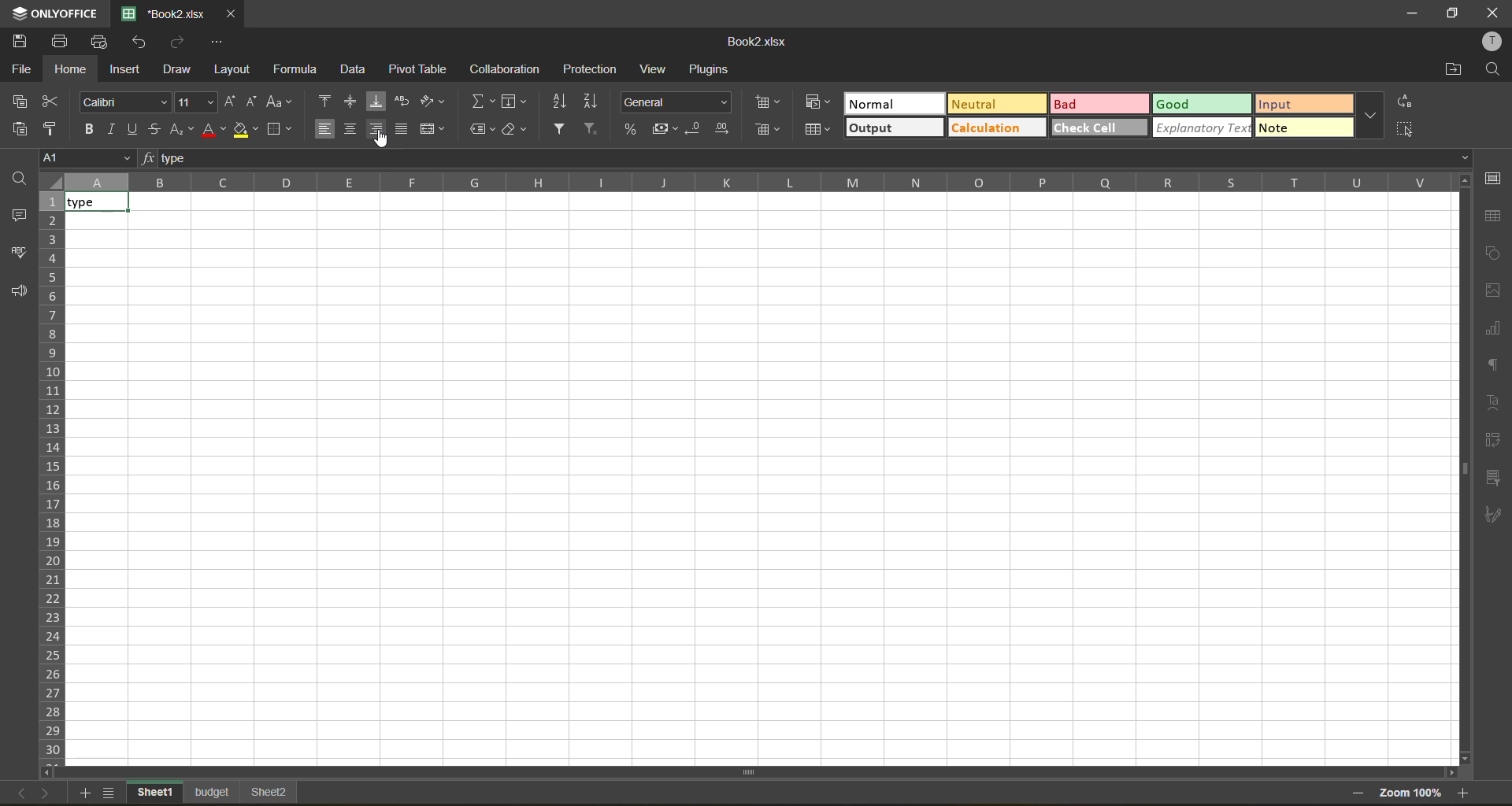 Image resolution: width=1512 pixels, height=806 pixels. What do you see at coordinates (106, 202) in the screenshot?
I see `type` at bounding box center [106, 202].